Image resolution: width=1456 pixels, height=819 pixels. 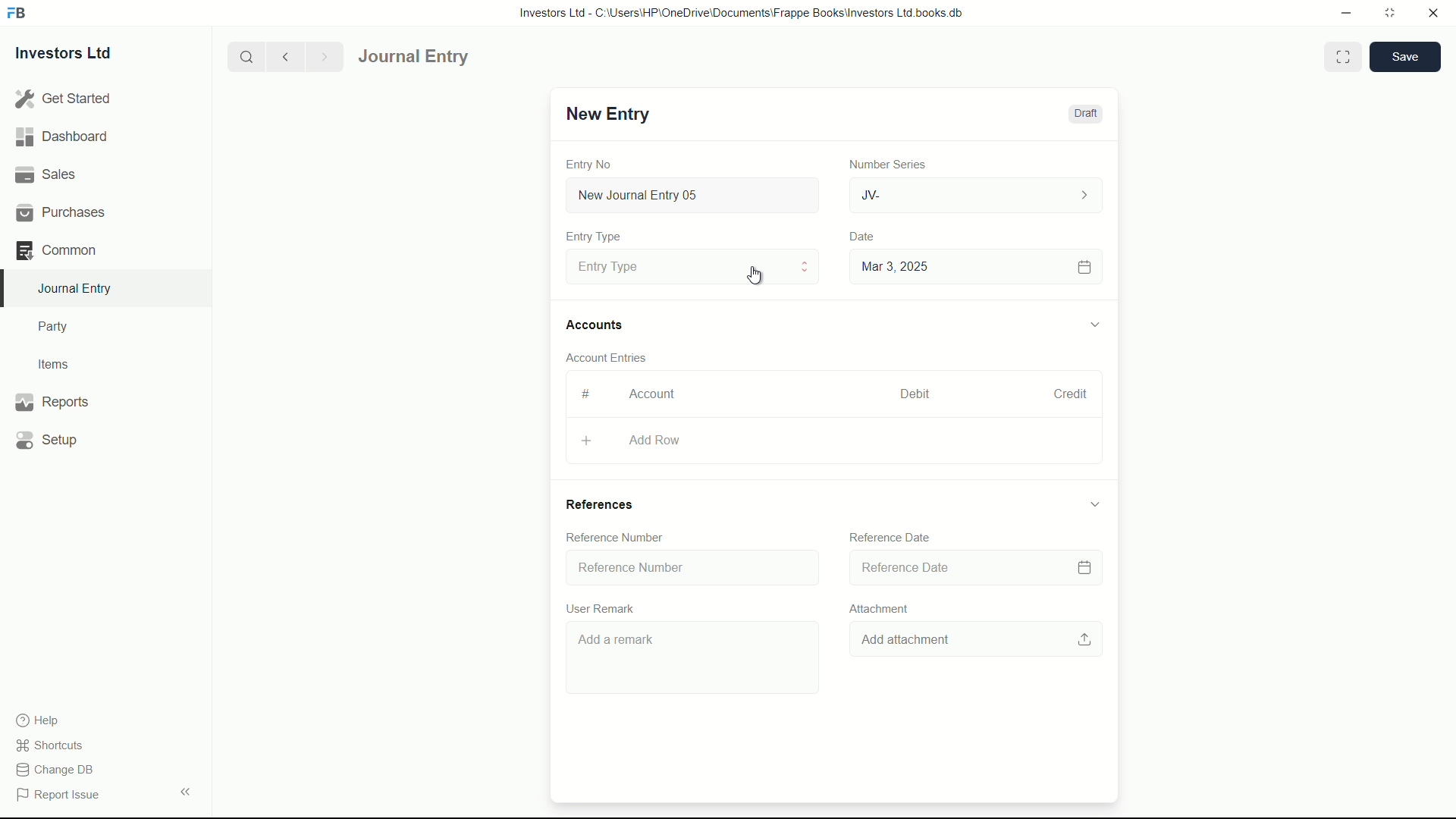 What do you see at coordinates (245, 55) in the screenshot?
I see `search` at bounding box center [245, 55].